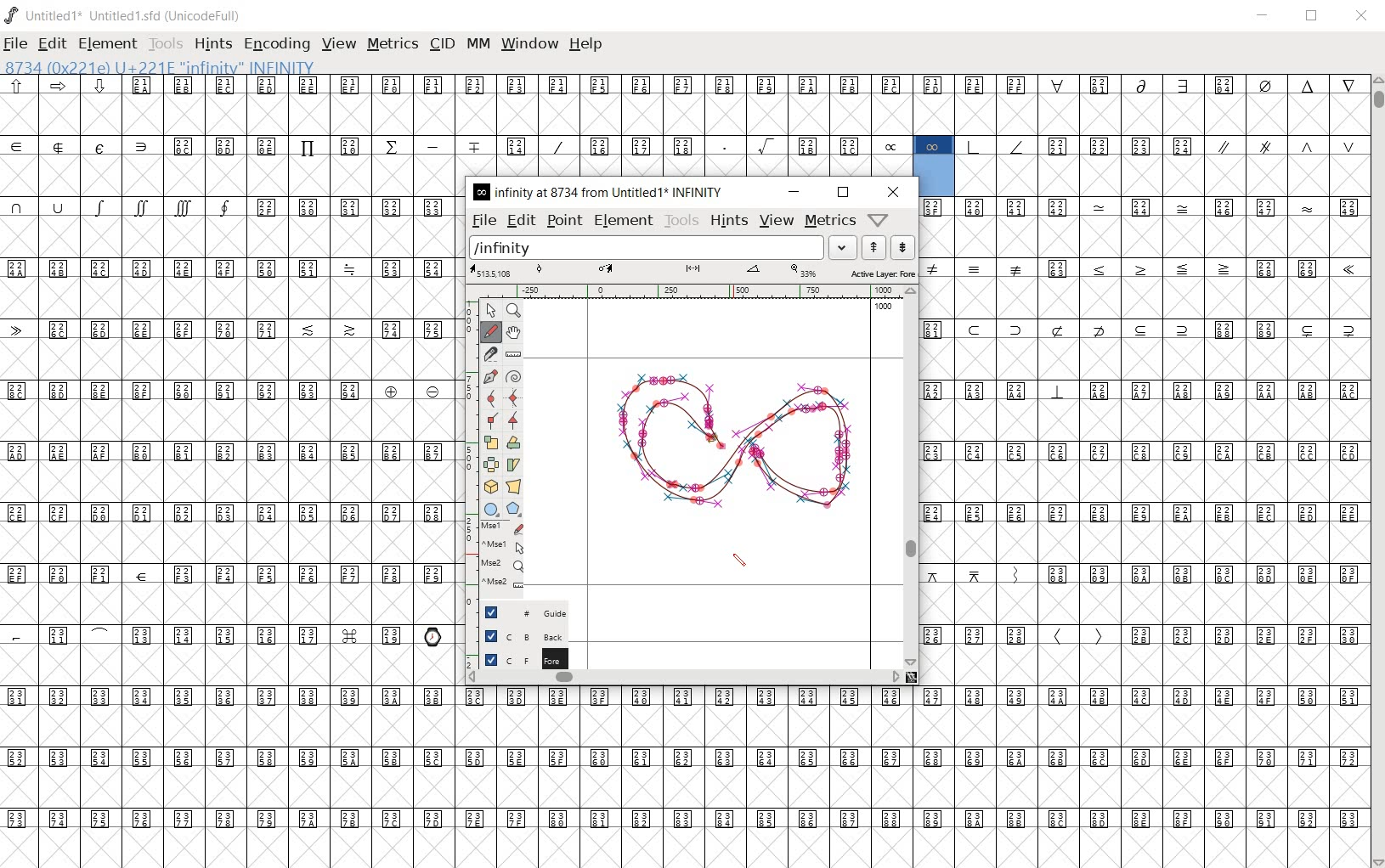 Image resolution: width=1385 pixels, height=868 pixels. I want to click on Unicode code points, so click(350, 206).